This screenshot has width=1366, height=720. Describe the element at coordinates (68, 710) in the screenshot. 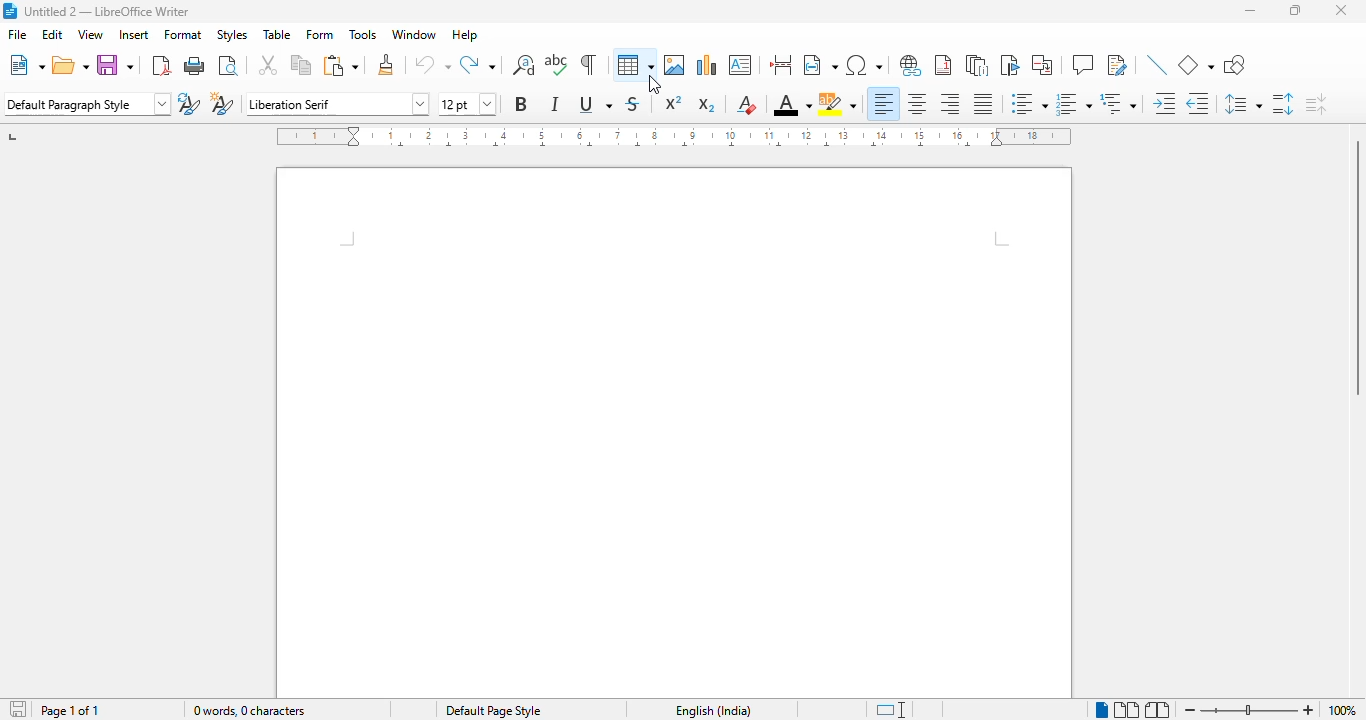

I see `page 1 of 1` at that location.